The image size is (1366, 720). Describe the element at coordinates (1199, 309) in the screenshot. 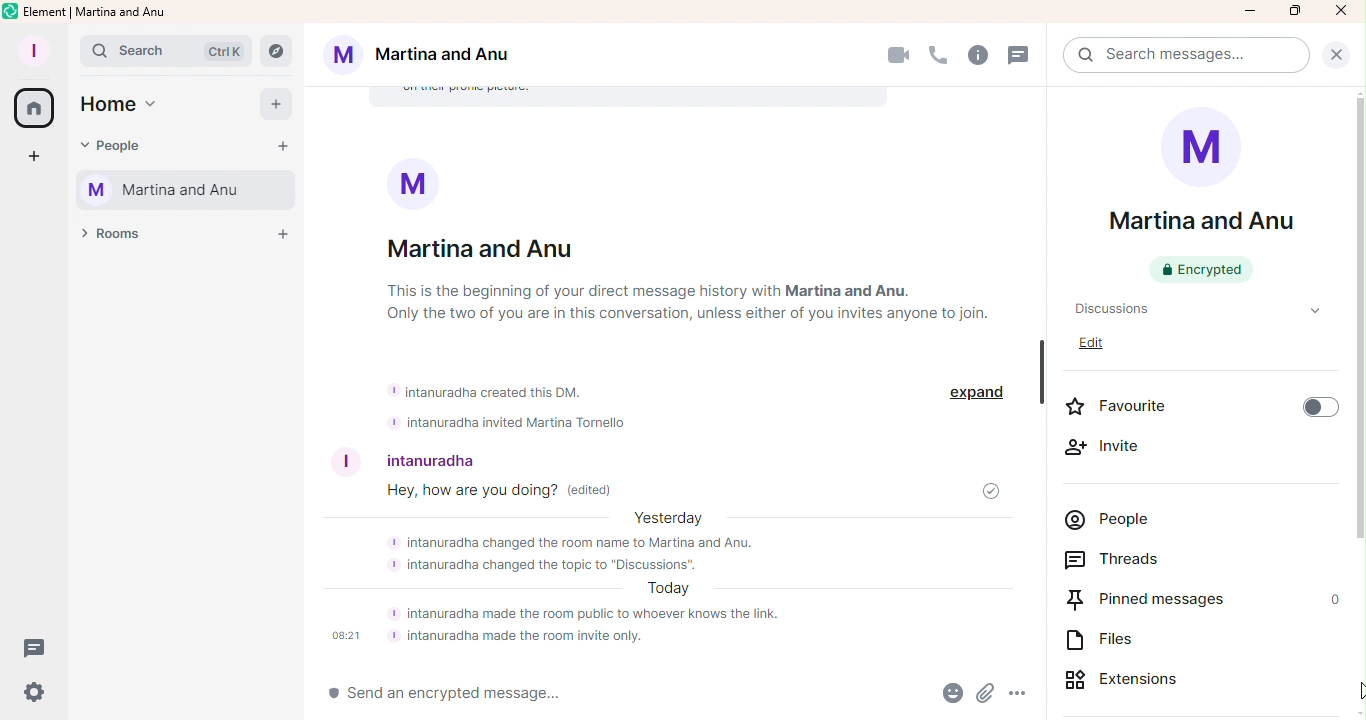

I see `Topic name` at that location.